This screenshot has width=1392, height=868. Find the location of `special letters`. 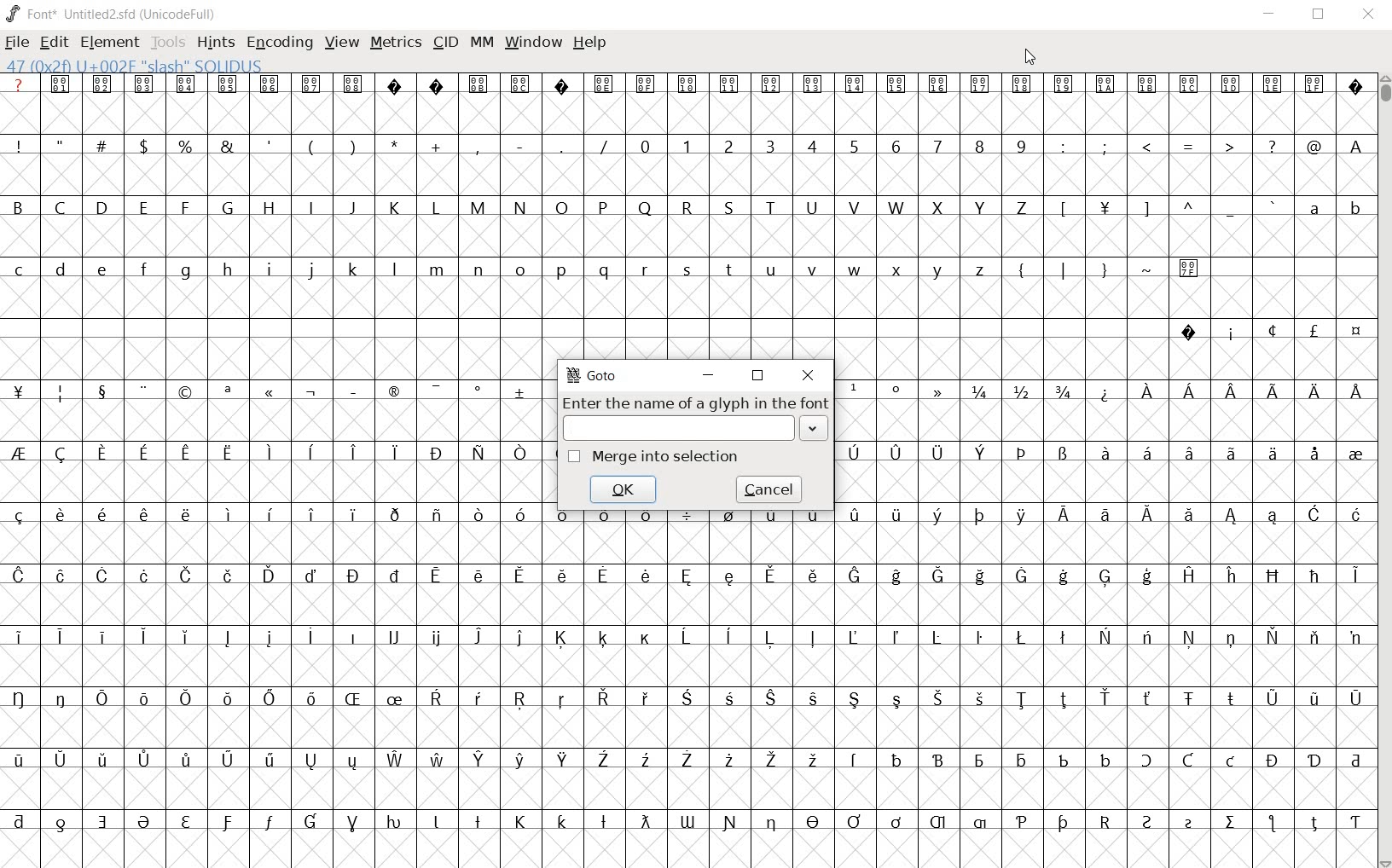

special letters is located at coordinates (279, 452).